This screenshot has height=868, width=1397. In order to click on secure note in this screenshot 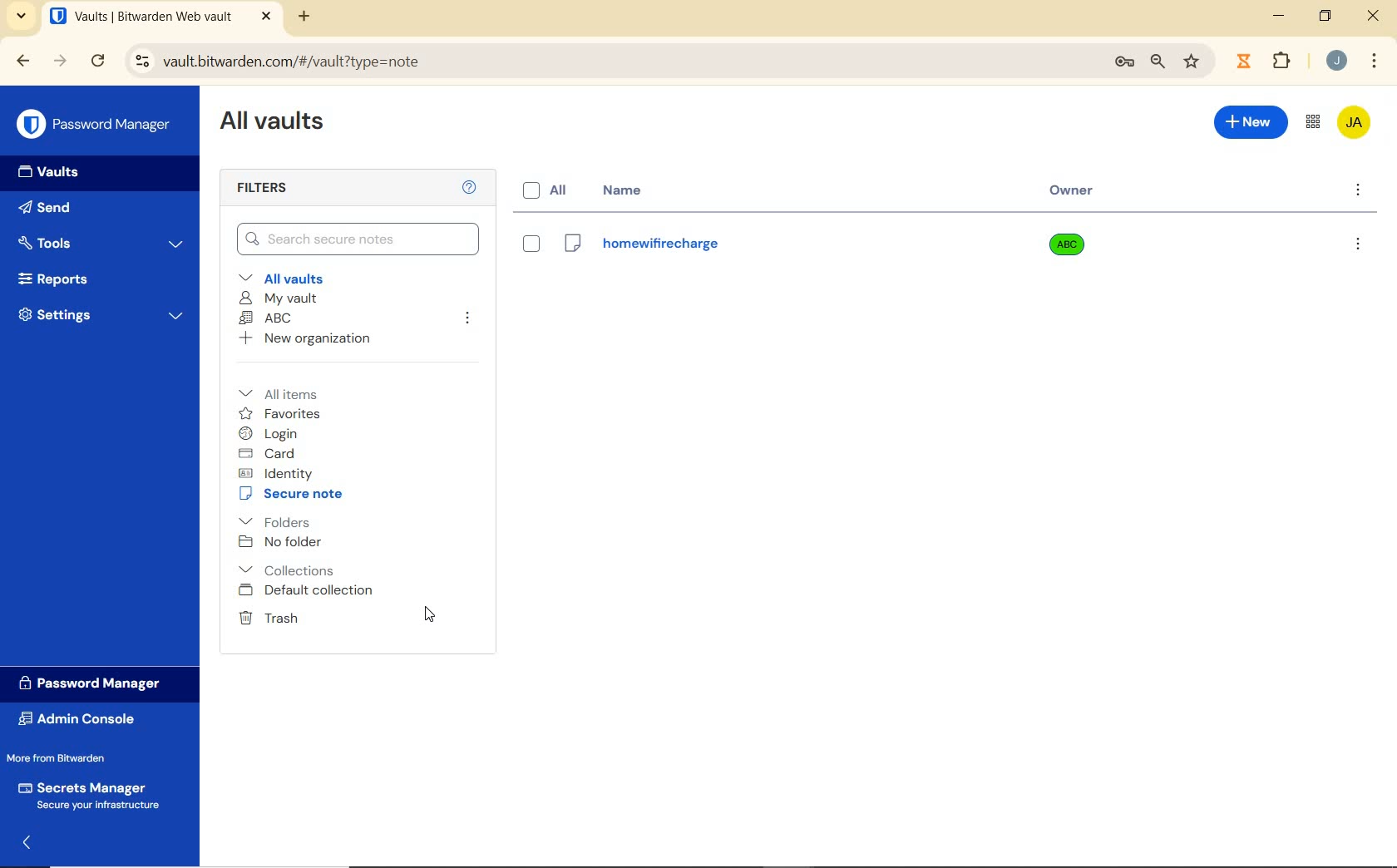, I will do `click(294, 494)`.